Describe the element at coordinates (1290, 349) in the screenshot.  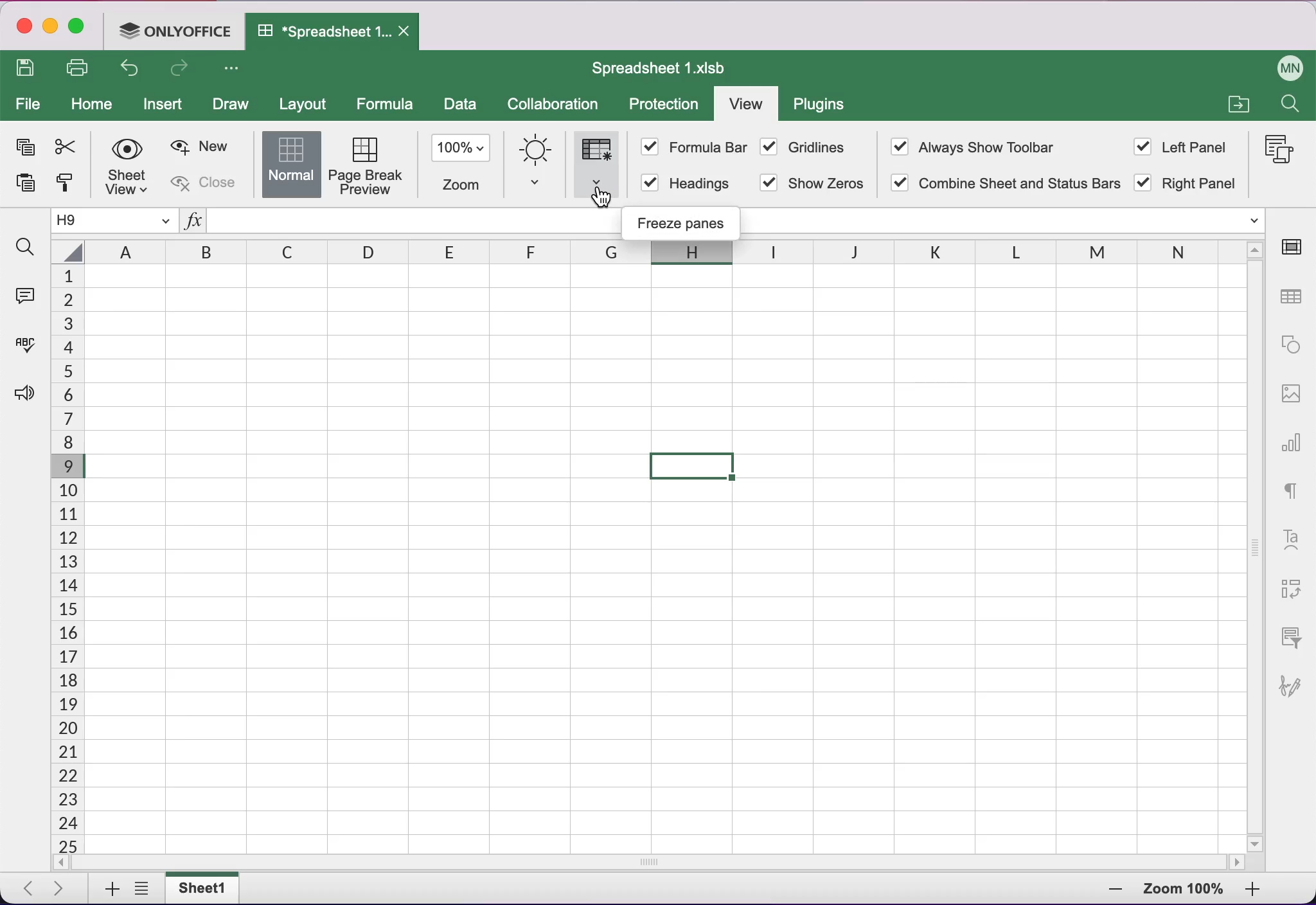
I see `shape` at that location.